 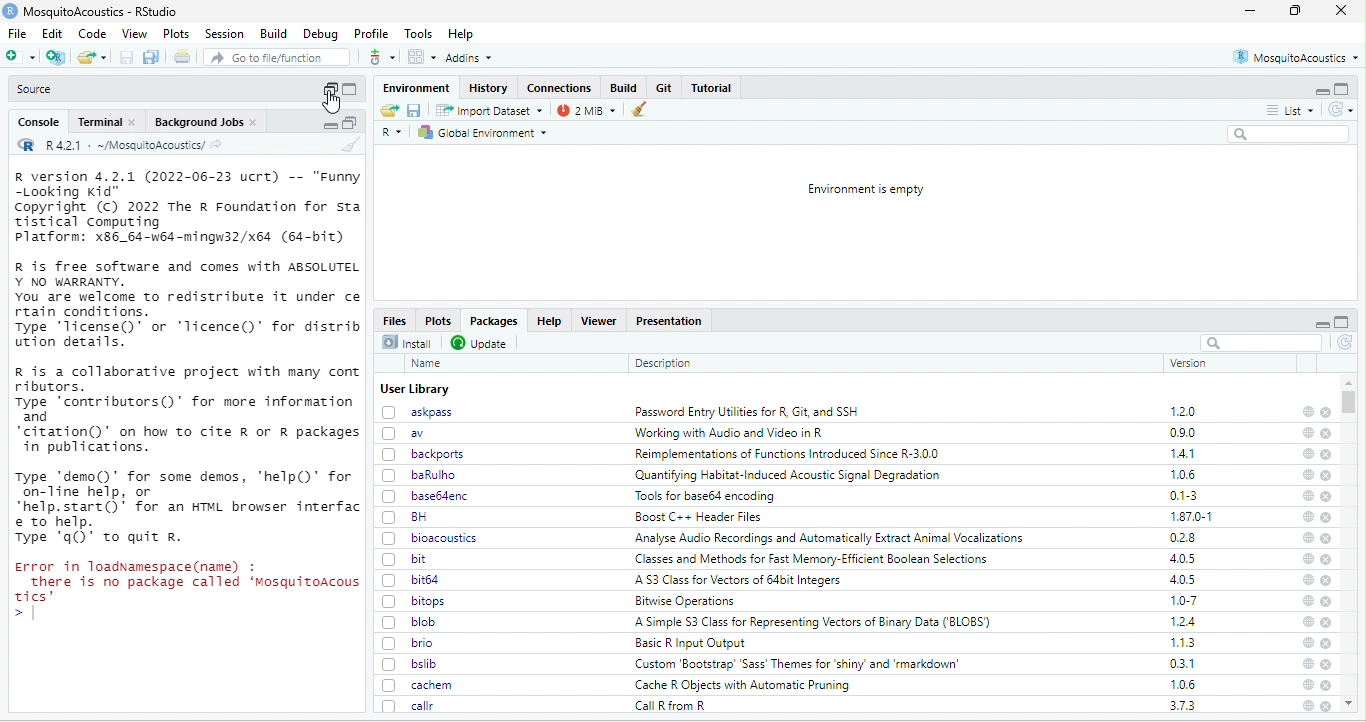 What do you see at coordinates (1194, 516) in the screenshot?
I see `1.87.0-1` at bounding box center [1194, 516].